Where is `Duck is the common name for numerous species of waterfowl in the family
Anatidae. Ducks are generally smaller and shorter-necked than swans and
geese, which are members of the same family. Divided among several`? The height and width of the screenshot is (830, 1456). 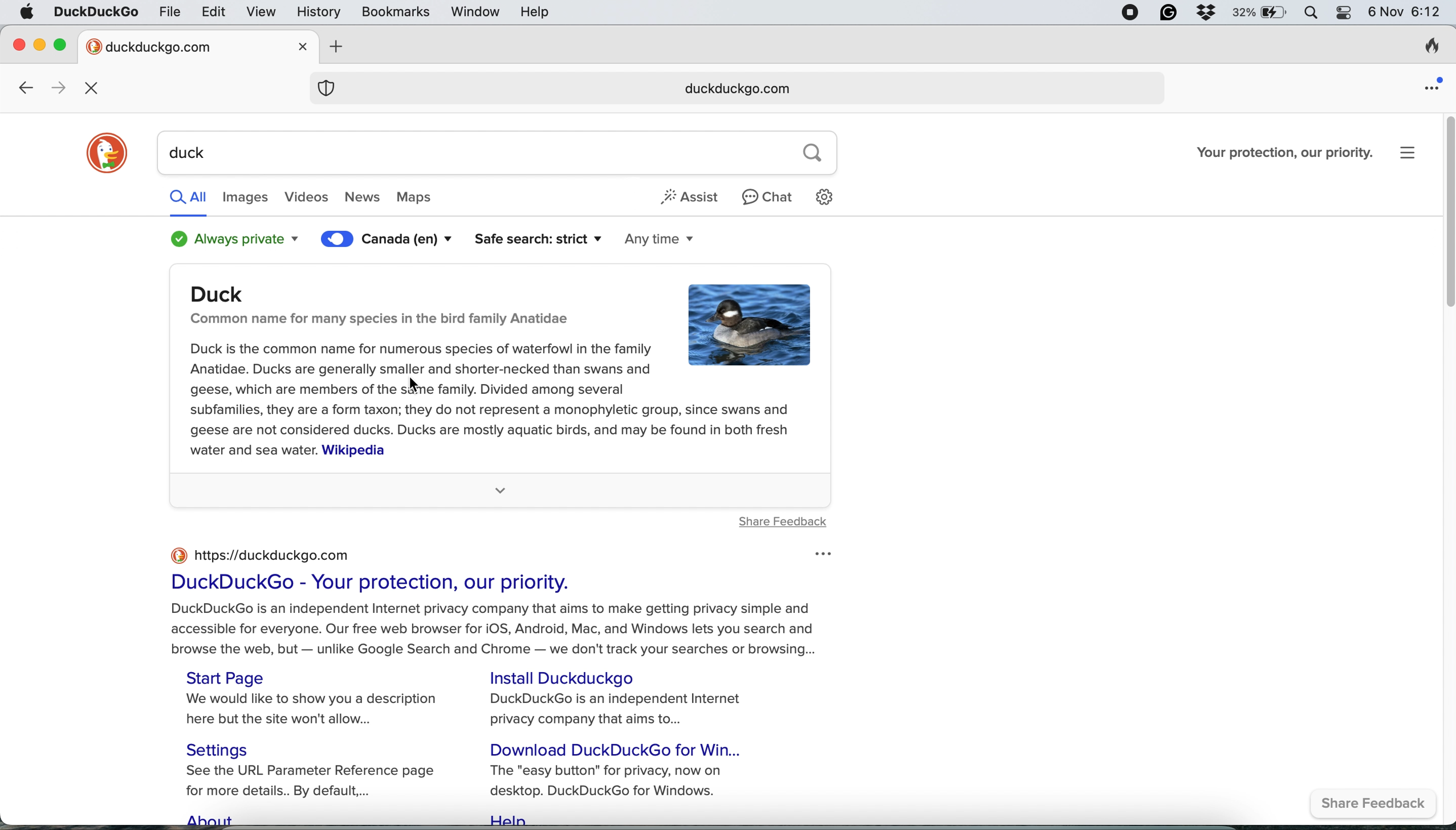 Duck is the common name for numerous species of waterfowl in the family
Anatidae. Ducks are generally smaller and shorter-necked than swans and
geese, which are members of the same family. Divided among several is located at coordinates (421, 367).